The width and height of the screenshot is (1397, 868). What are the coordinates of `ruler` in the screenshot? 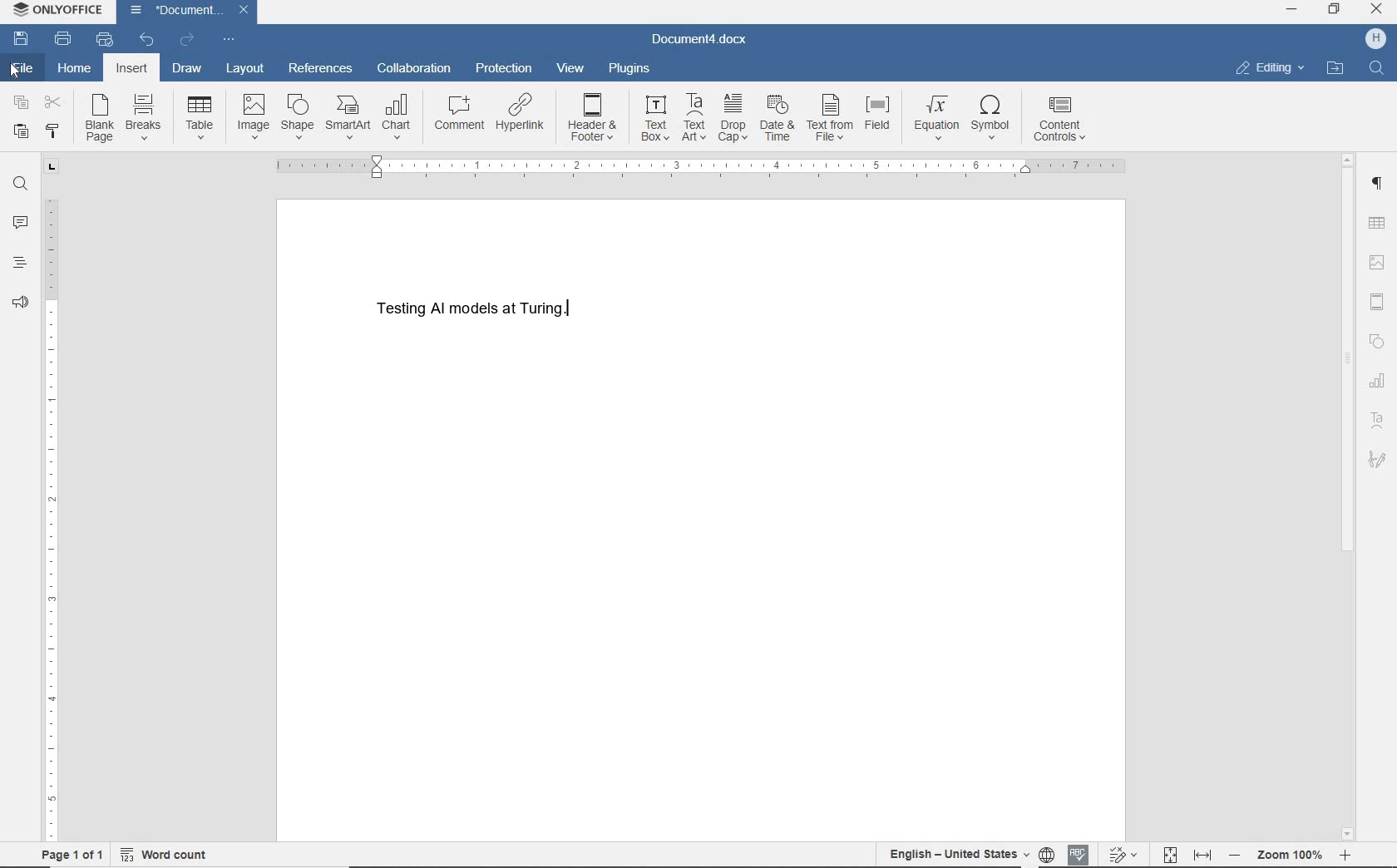 It's located at (51, 495).